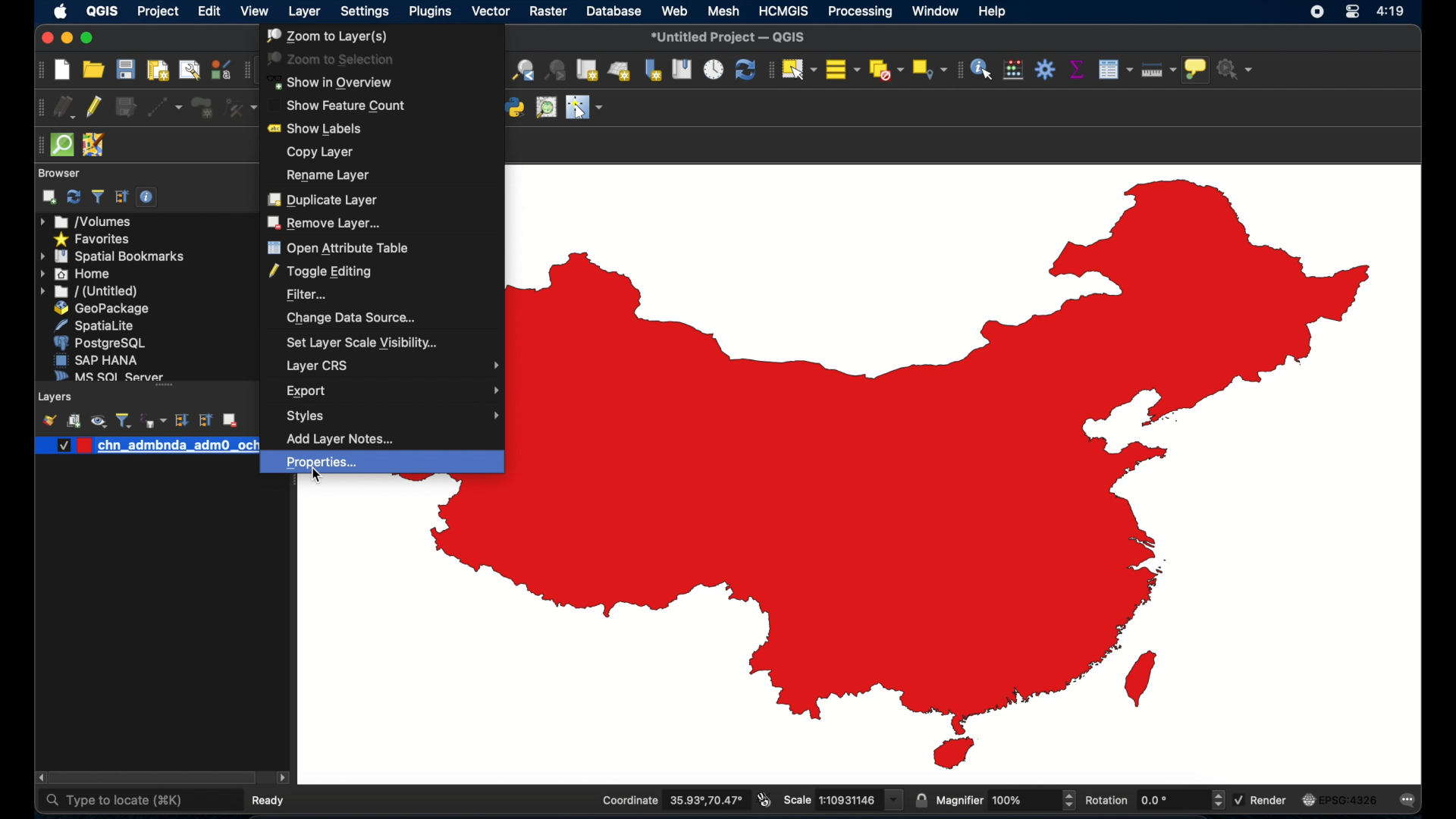  I want to click on toggle editing, so click(322, 272).